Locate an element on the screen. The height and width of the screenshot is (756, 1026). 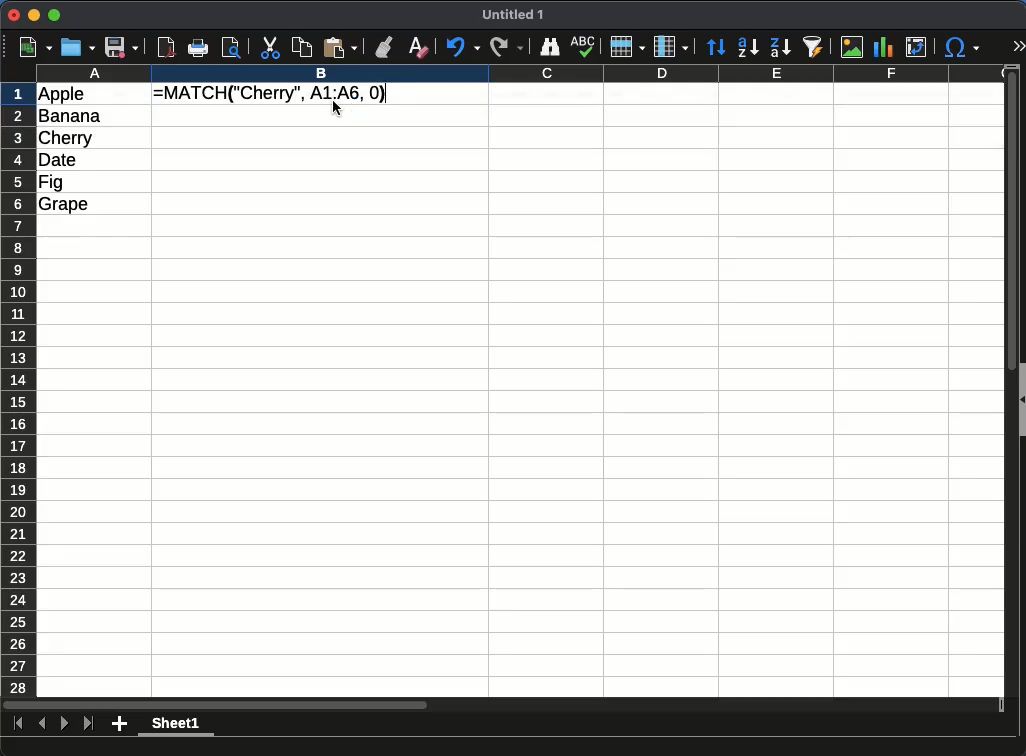
sheet1 is located at coordinates (176, 725).